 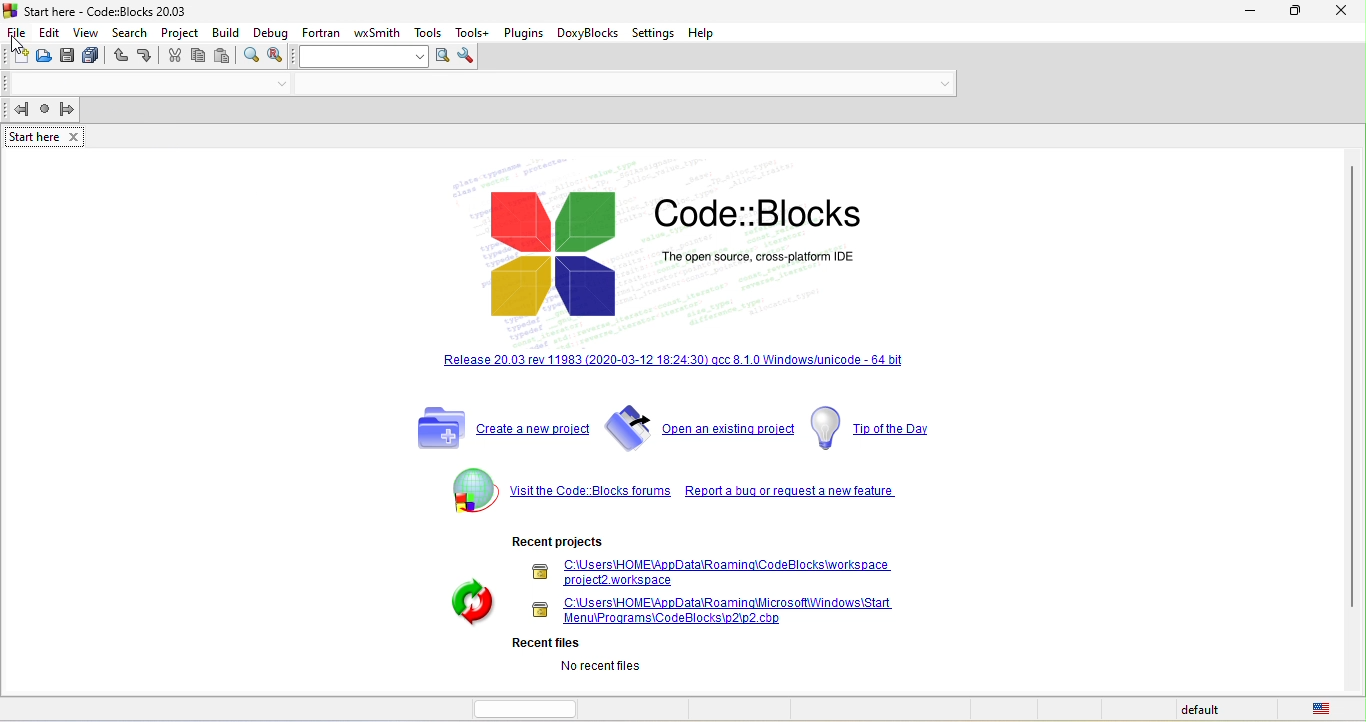 What do you see at coordinates (46, 136) in the screenshot?
I see `start here` at bounding box center [46, 136].